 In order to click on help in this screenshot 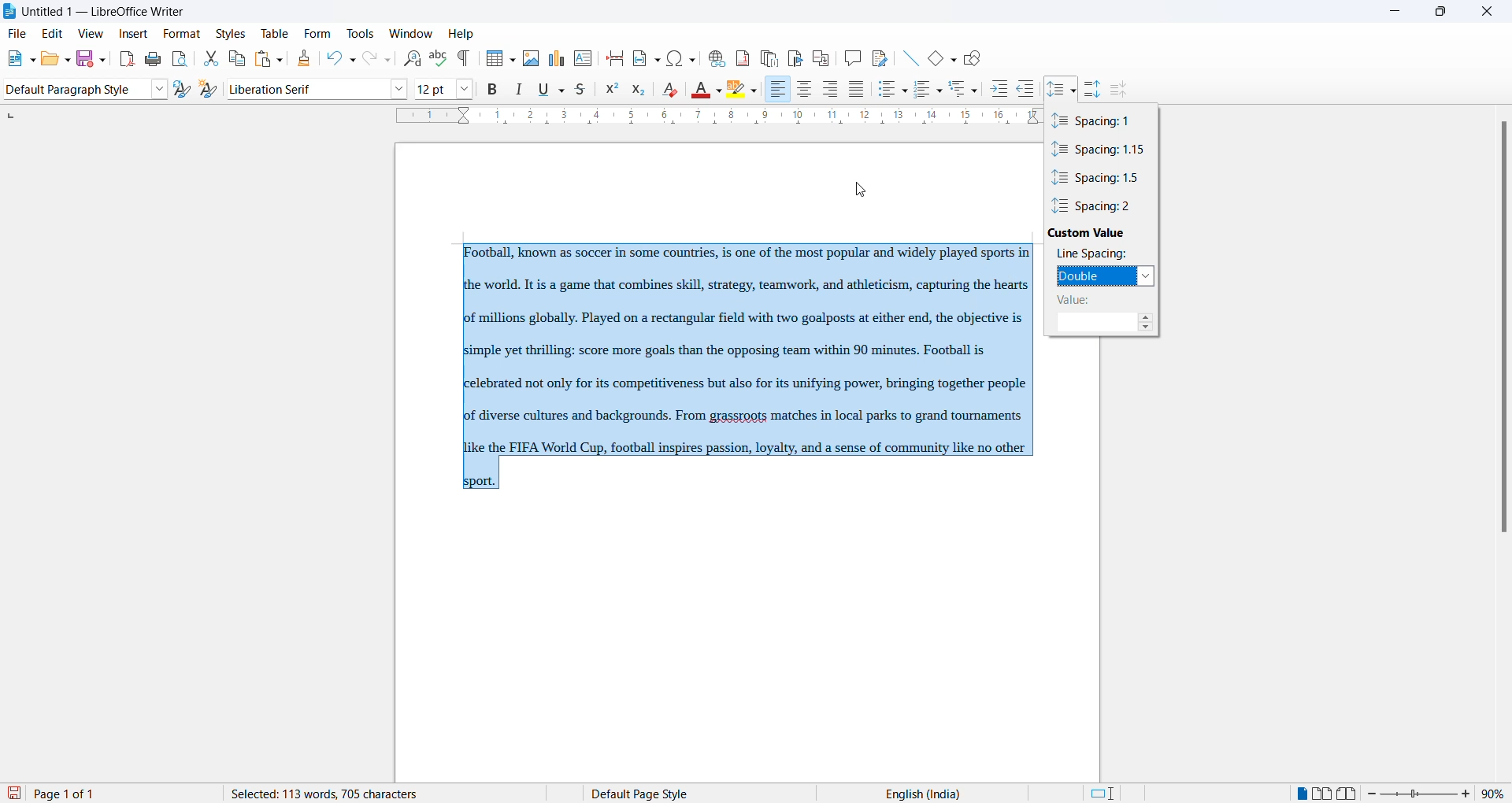, I will do `click(461, 33)`.